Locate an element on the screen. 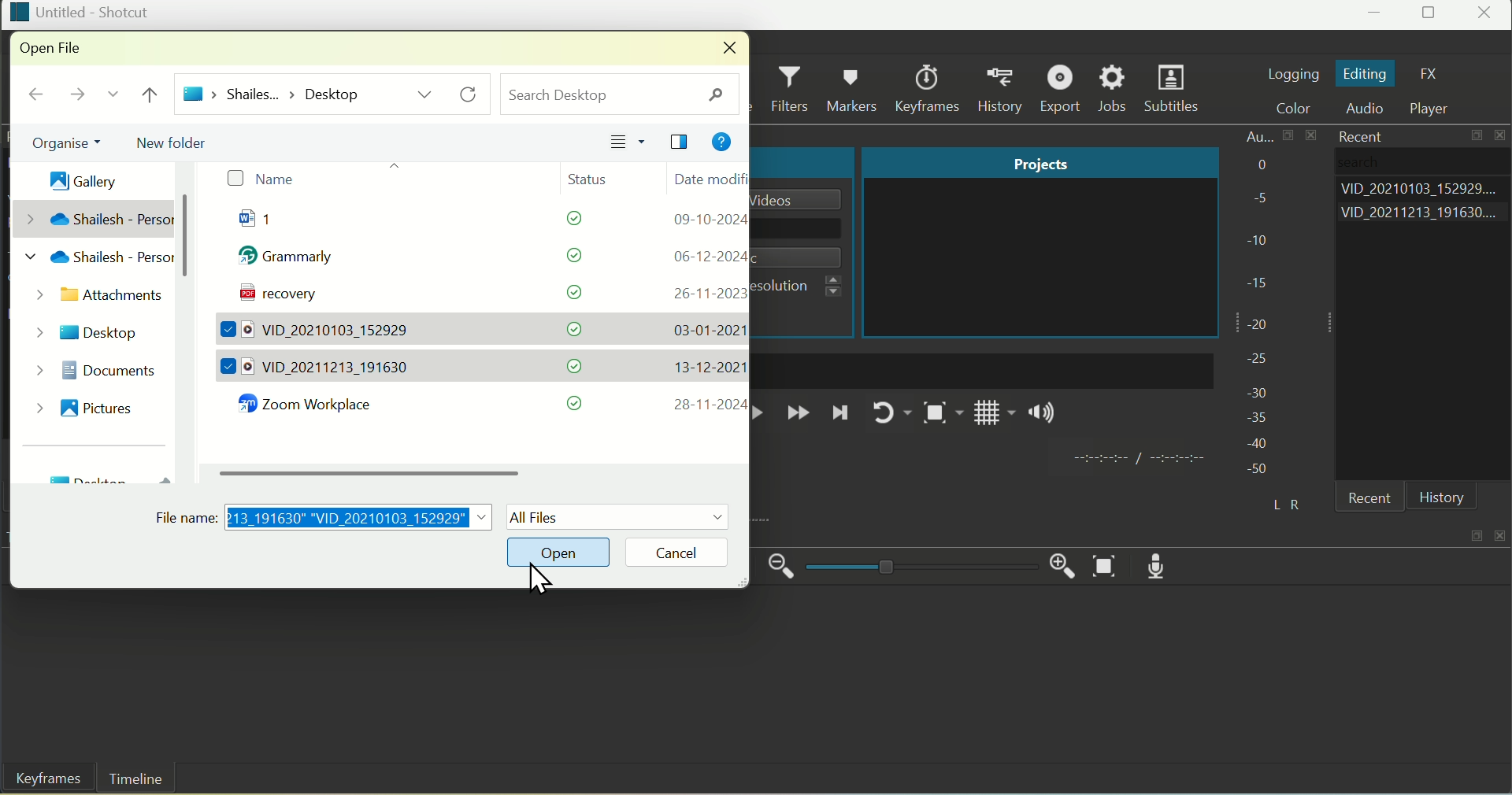 The height and width of the screenshot is (795, 1512). View as is located at coordinates (628, 142).